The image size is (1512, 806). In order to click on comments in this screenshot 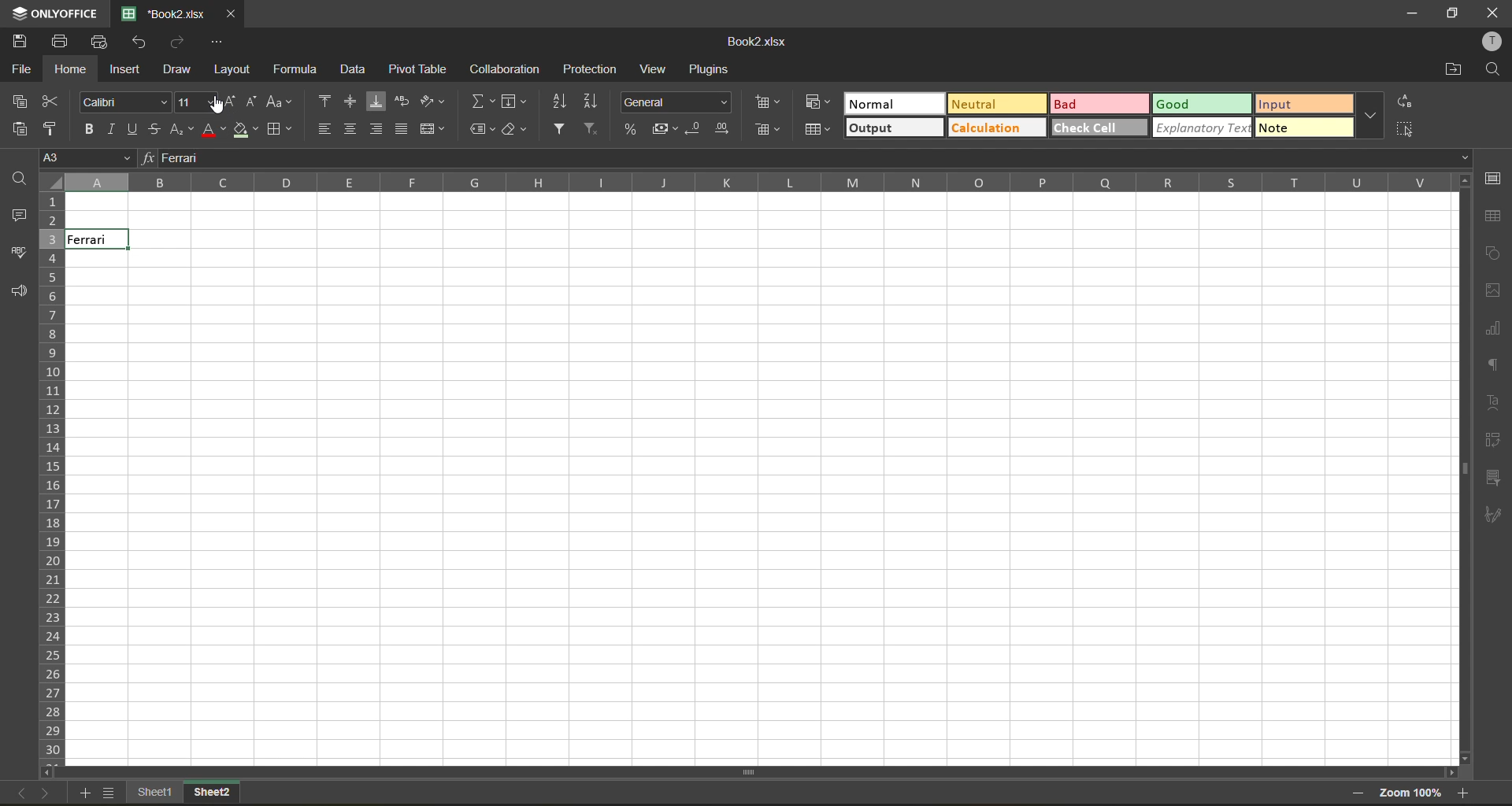, I will do `click(21, 216)`.